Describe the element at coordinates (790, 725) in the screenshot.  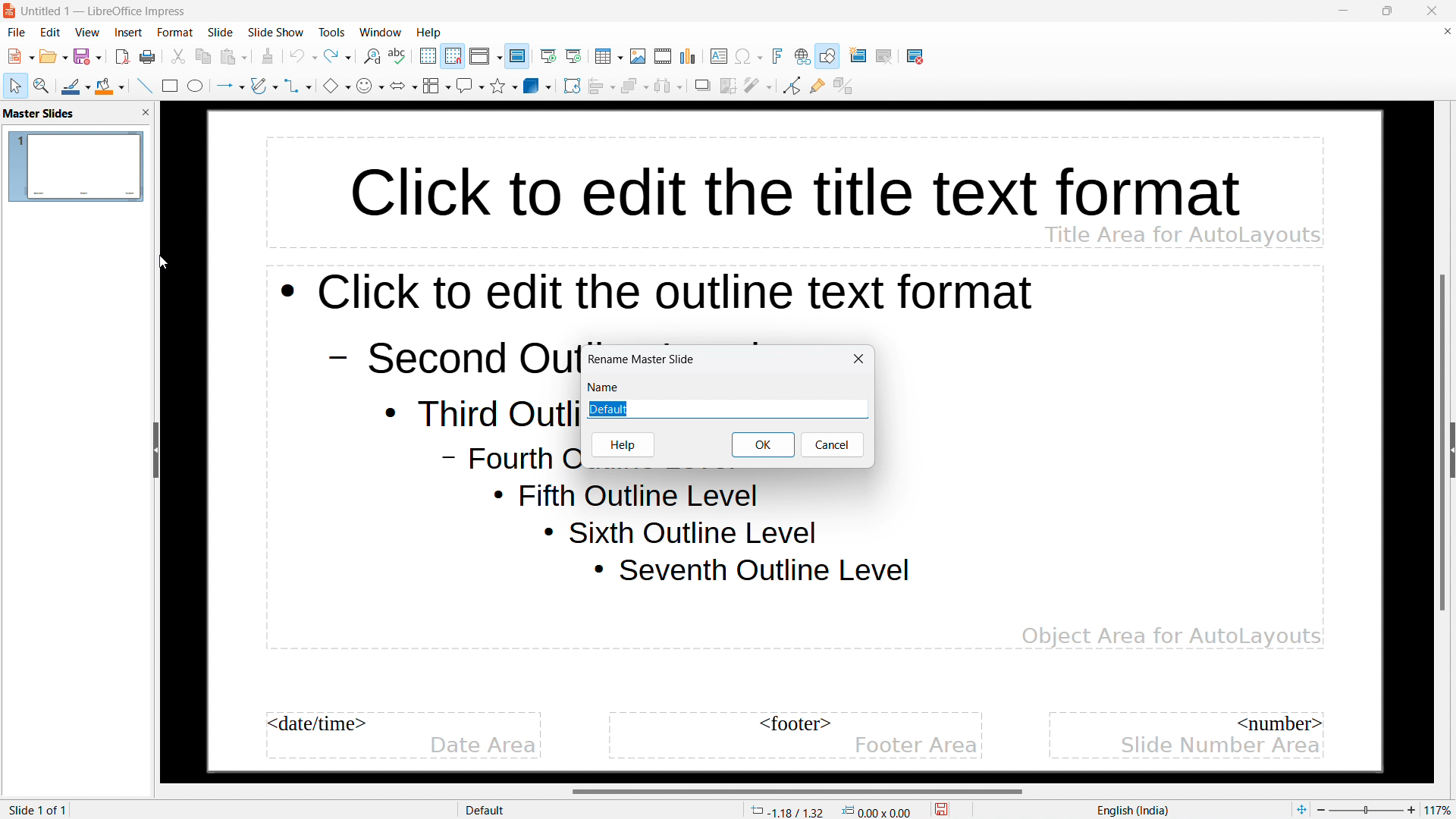
I see `<footer>` at that location.